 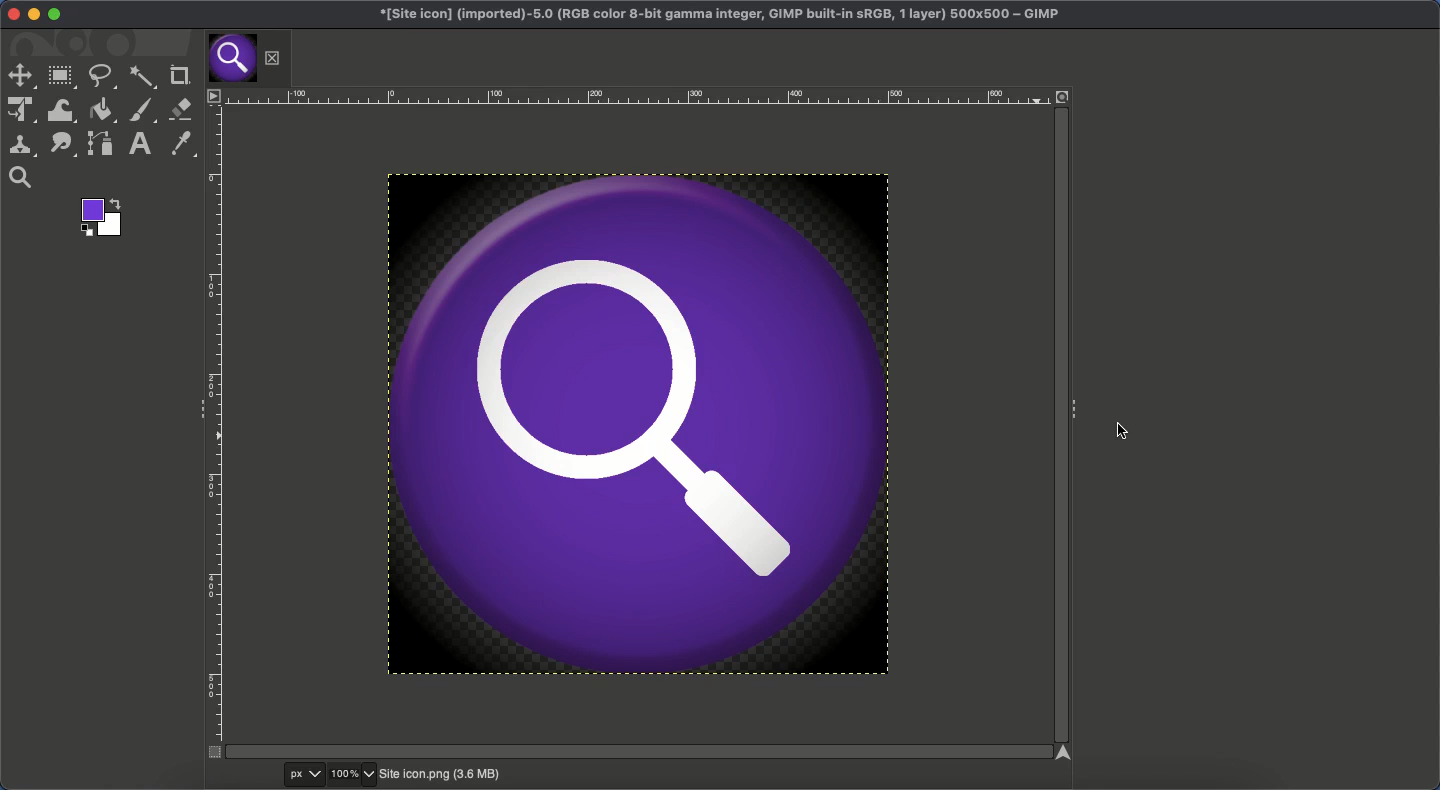 What do you see at coordinates (34, 15) in the screenshot?
I see `Minimize` at bounding box center [34, 15].